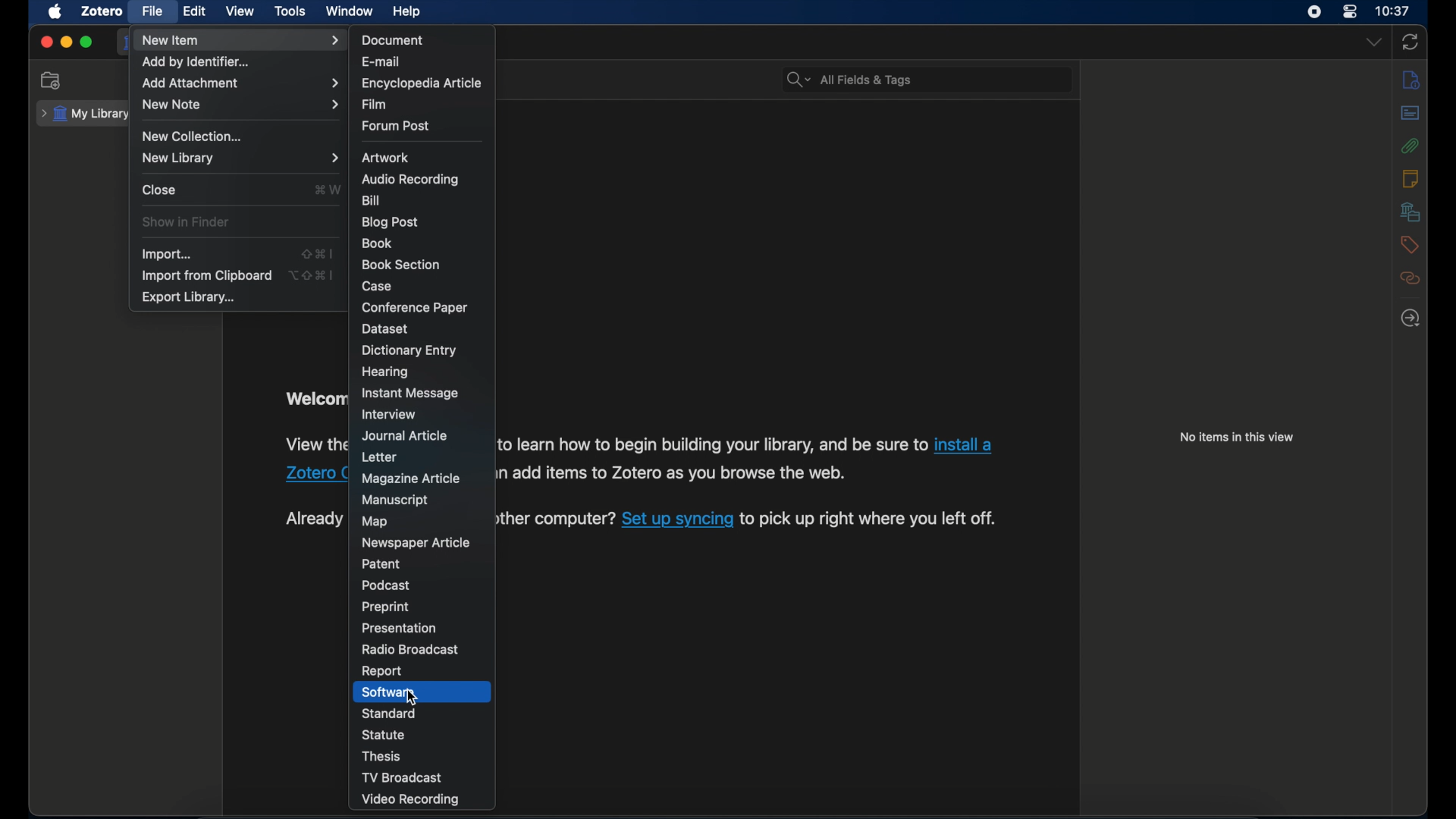 The width and height of the screenshot is (1456, 819). Describe the element at coordinates (410, 649) in the screenshot. I see `radio broadcast` at that location.